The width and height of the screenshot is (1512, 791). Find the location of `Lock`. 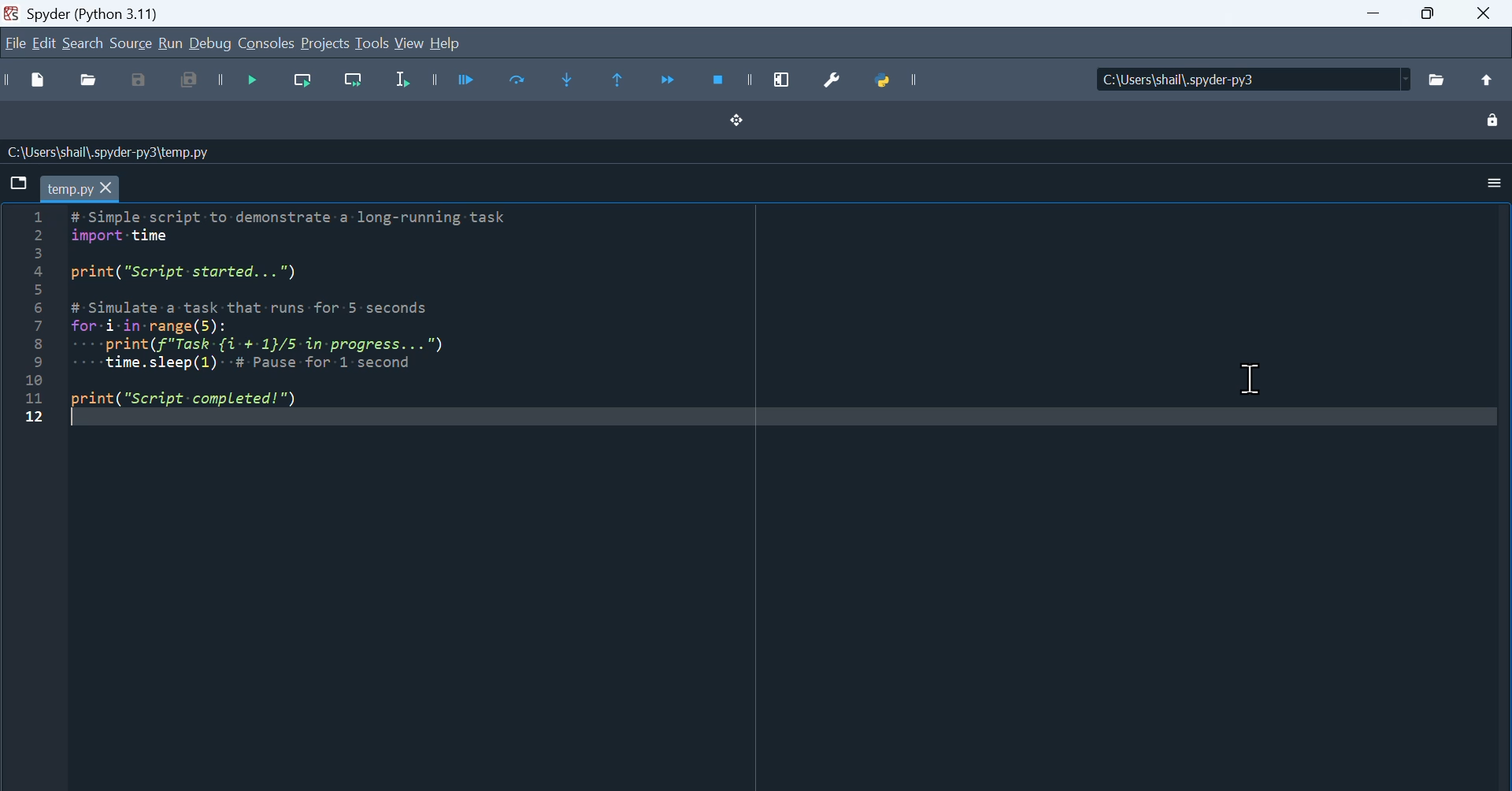

Lock is located at coordinates (1492, 120).